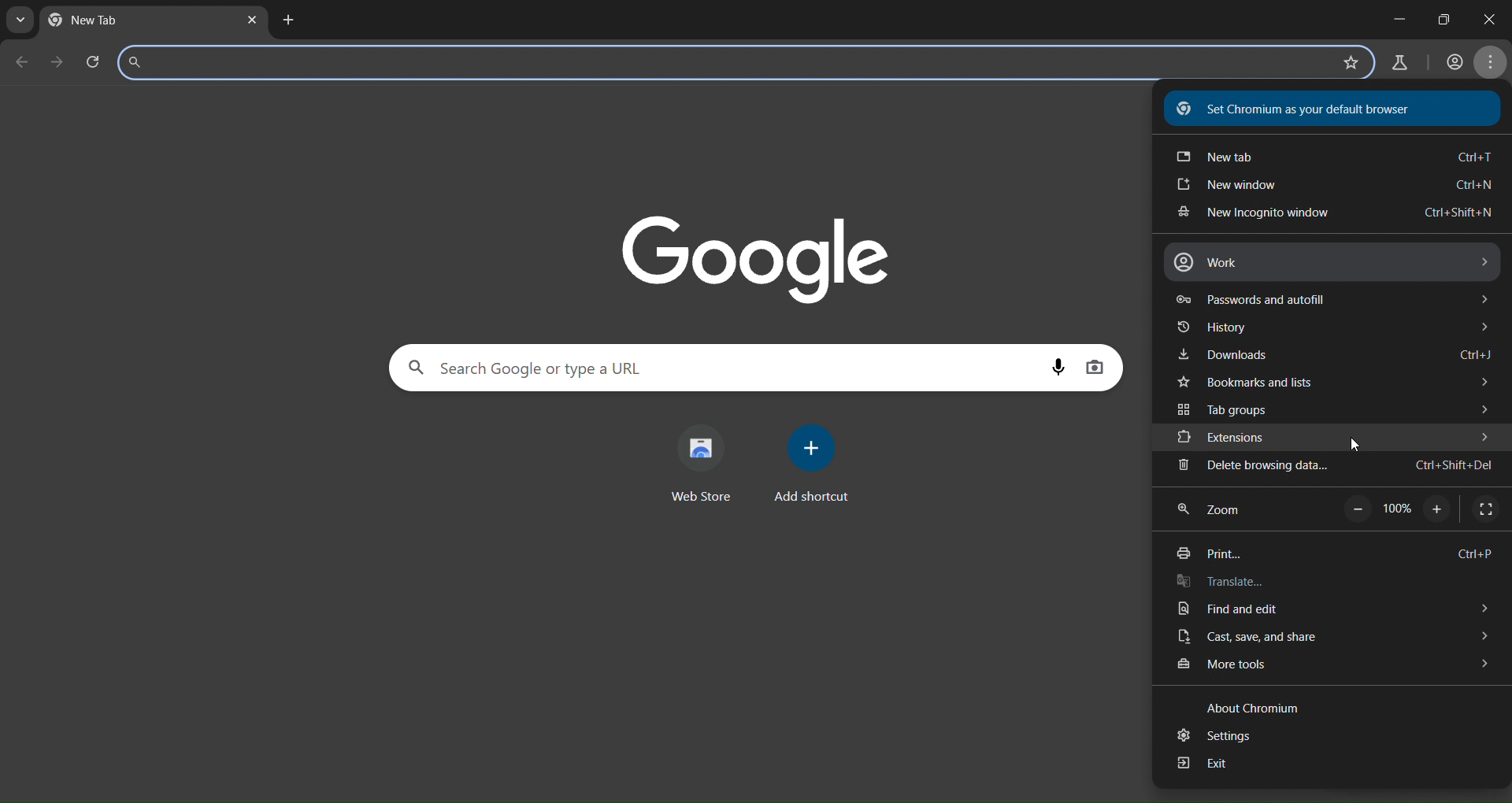  What do you see at coordinates (17, 18) in the screenshot?
I see `search tab` at bounding box center [17, 18].